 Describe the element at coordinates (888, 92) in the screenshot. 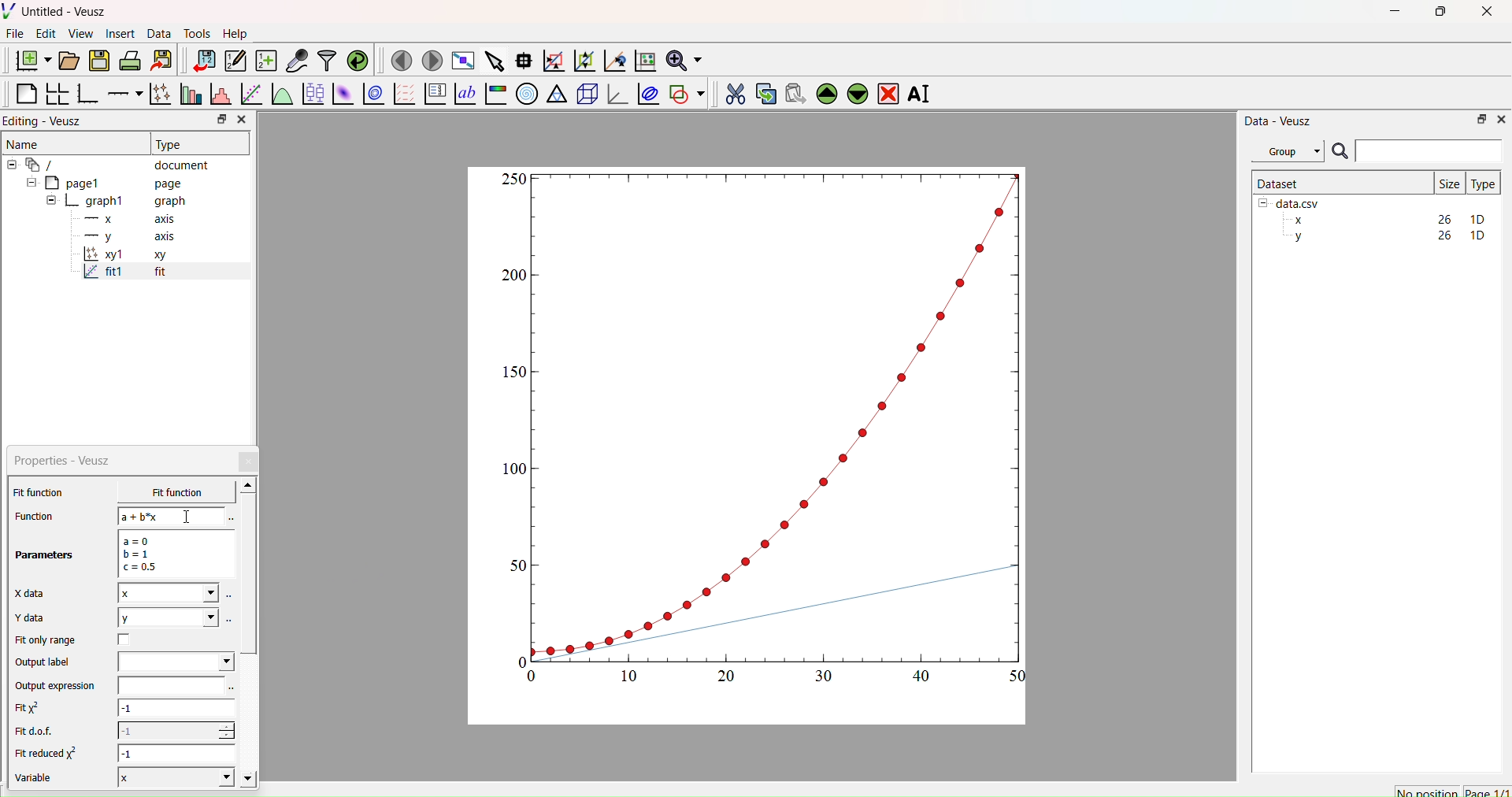

I see `Remove` at that location.